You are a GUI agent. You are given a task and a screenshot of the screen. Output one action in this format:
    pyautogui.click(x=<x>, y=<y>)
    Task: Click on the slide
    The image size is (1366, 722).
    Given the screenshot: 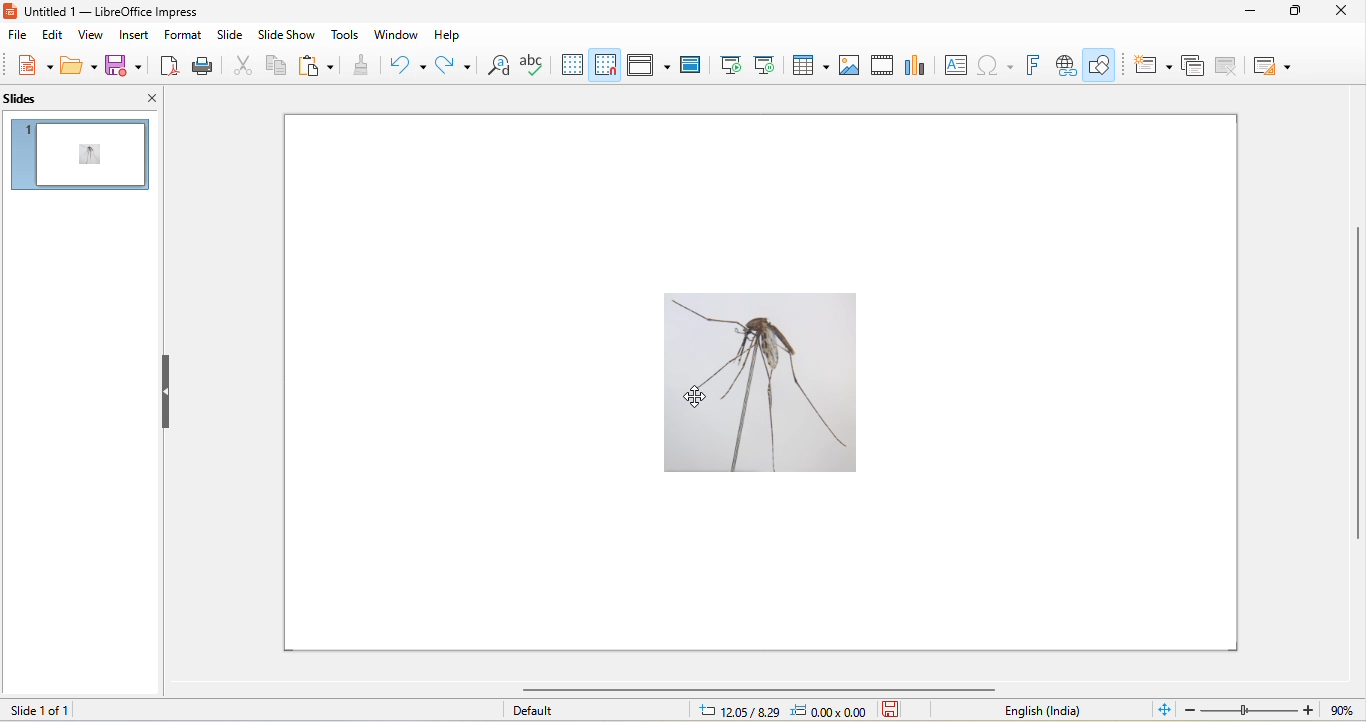 What is the action you would take?
    pyautogui.click(x=229, y=35)
    